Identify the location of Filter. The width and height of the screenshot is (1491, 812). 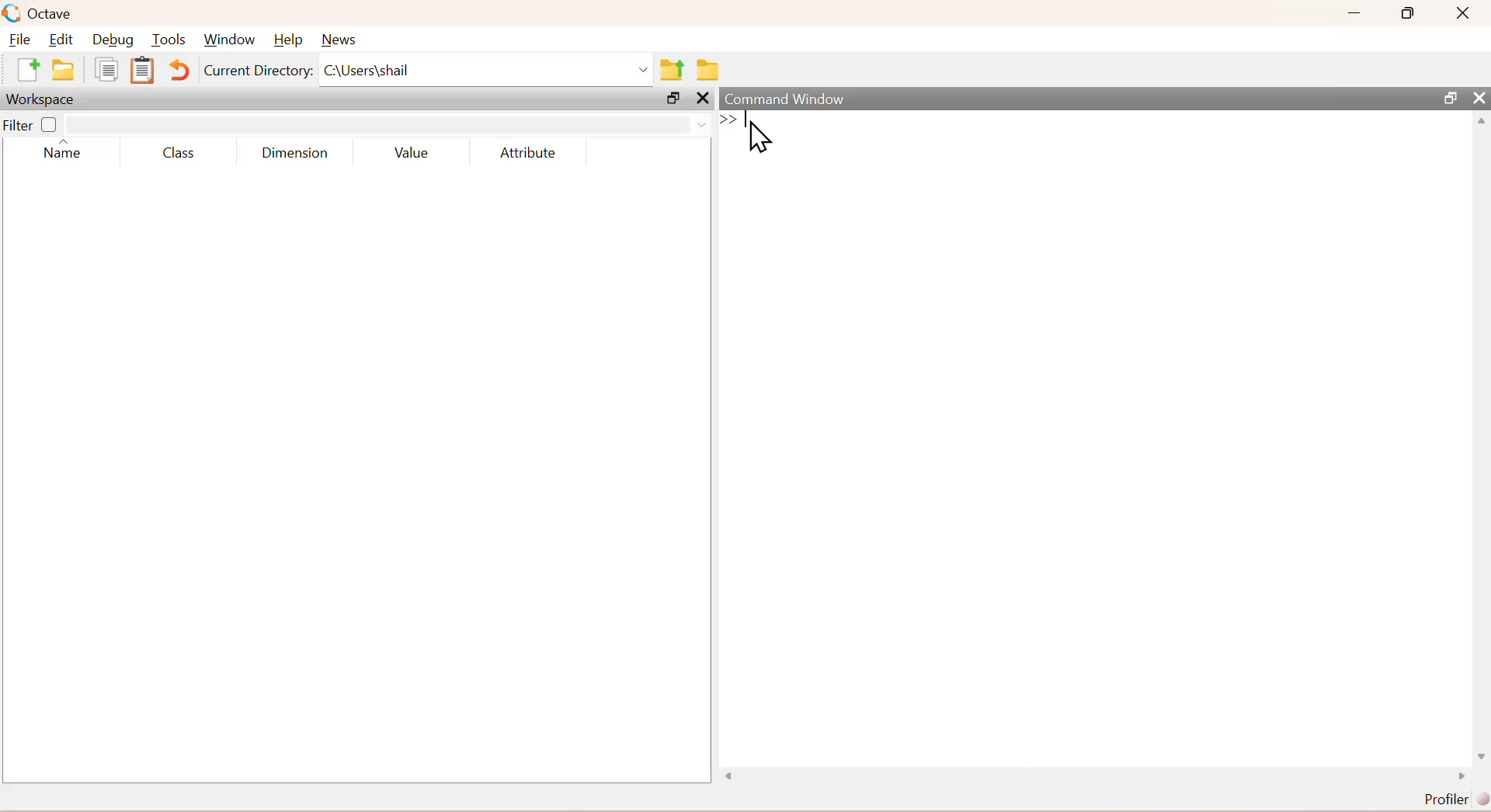
(36, 124).